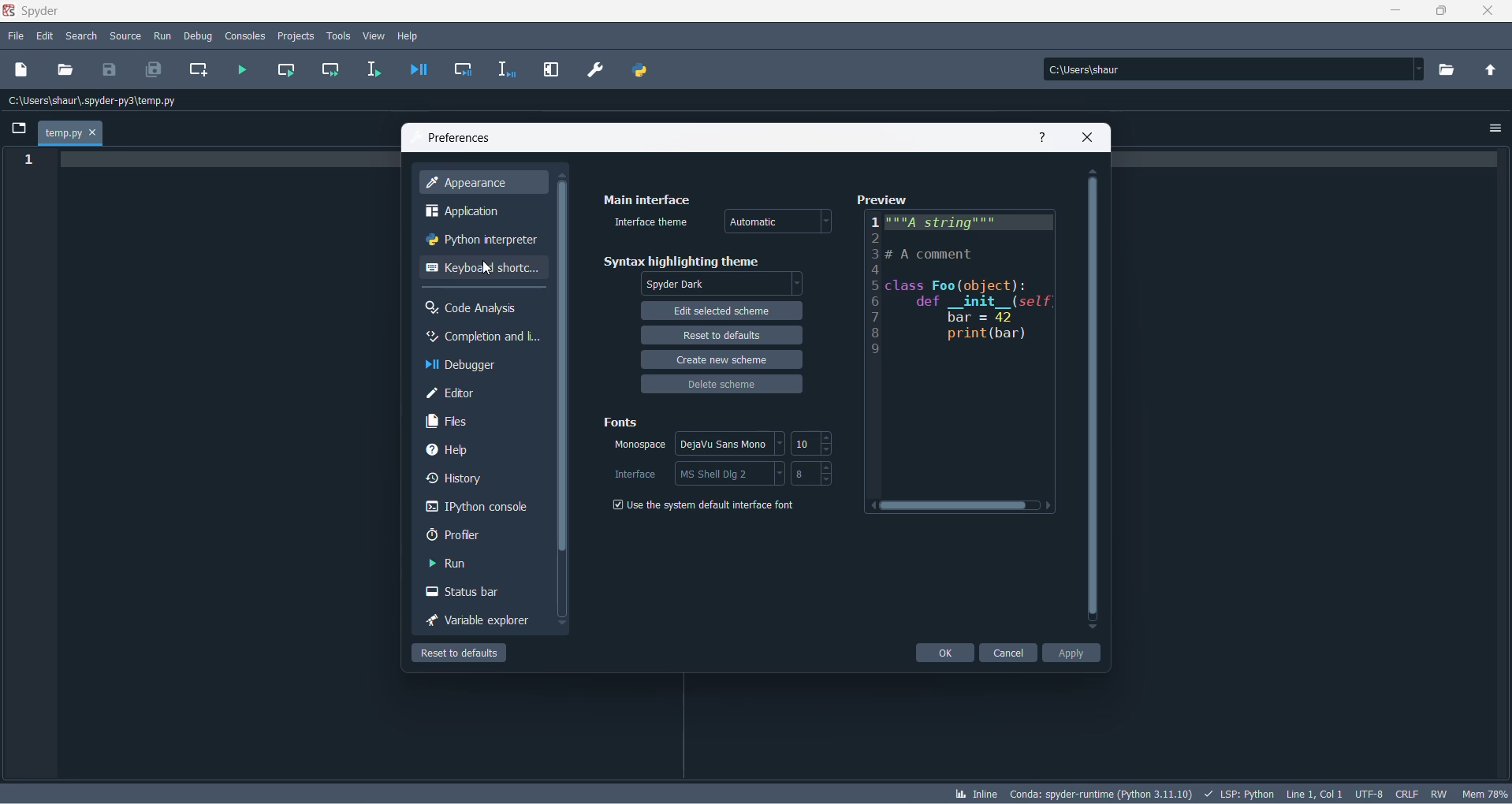 The height and width of the screenshot is (804, 1512). I want to click on status bar, so click(472, 594).